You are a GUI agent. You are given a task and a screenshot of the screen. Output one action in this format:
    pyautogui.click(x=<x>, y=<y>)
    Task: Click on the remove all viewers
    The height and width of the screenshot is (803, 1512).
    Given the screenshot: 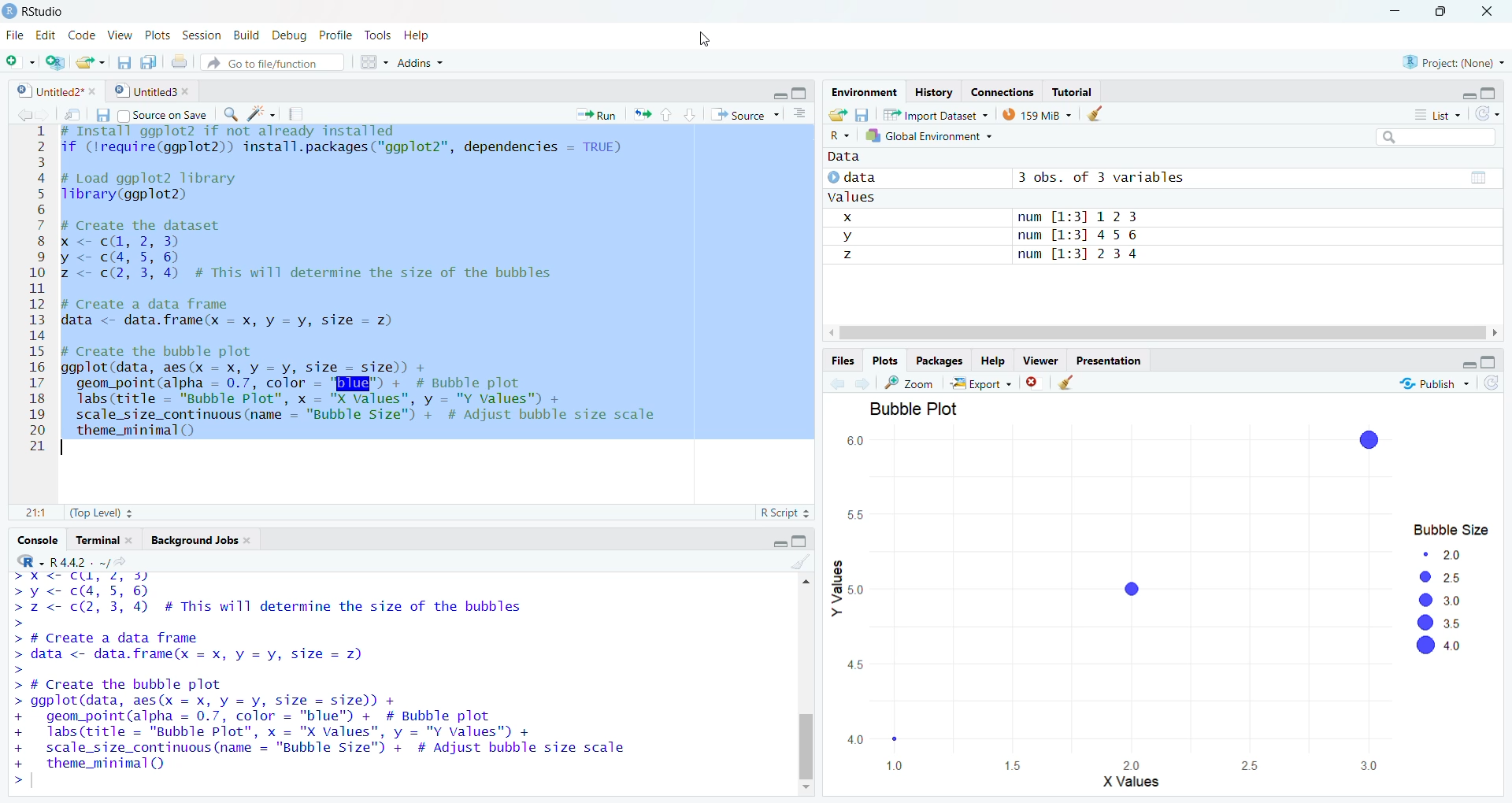 What is the action you would take?
    pyautogui.click(x=1034, y=383)
    